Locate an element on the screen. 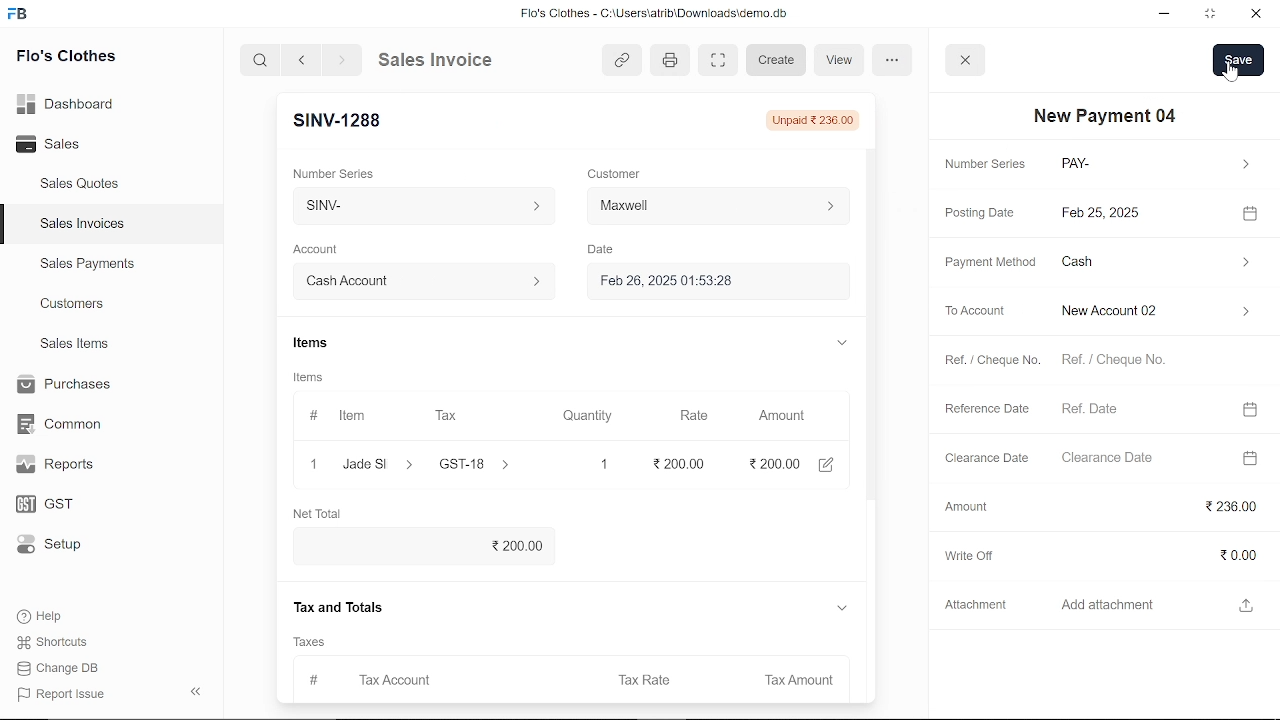  1 is located at coordinates (602, 462).